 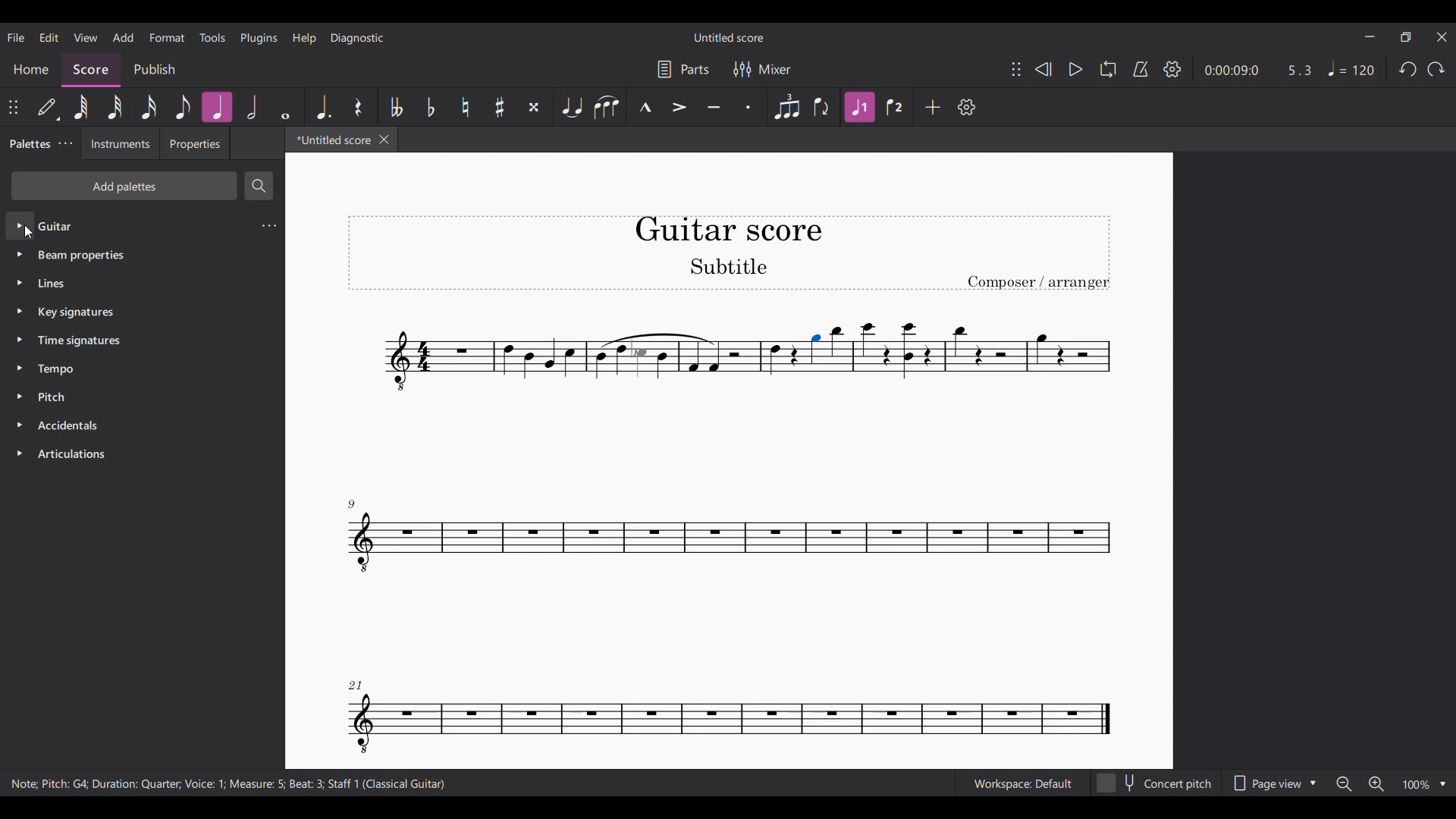 I want to click on Flip direction, so click(x=823, y=107).